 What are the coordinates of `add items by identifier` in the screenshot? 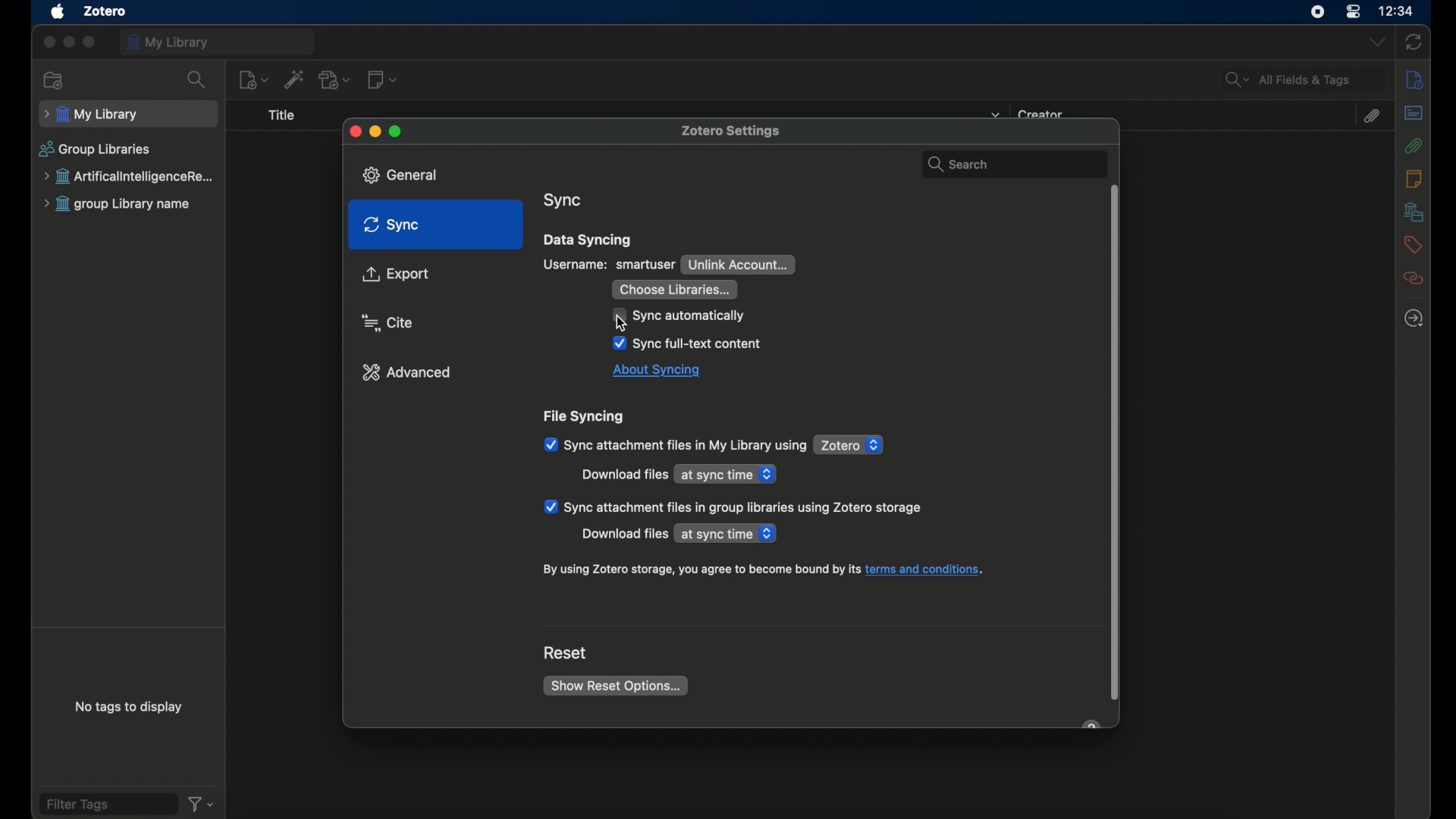 It's located at (296, 80).